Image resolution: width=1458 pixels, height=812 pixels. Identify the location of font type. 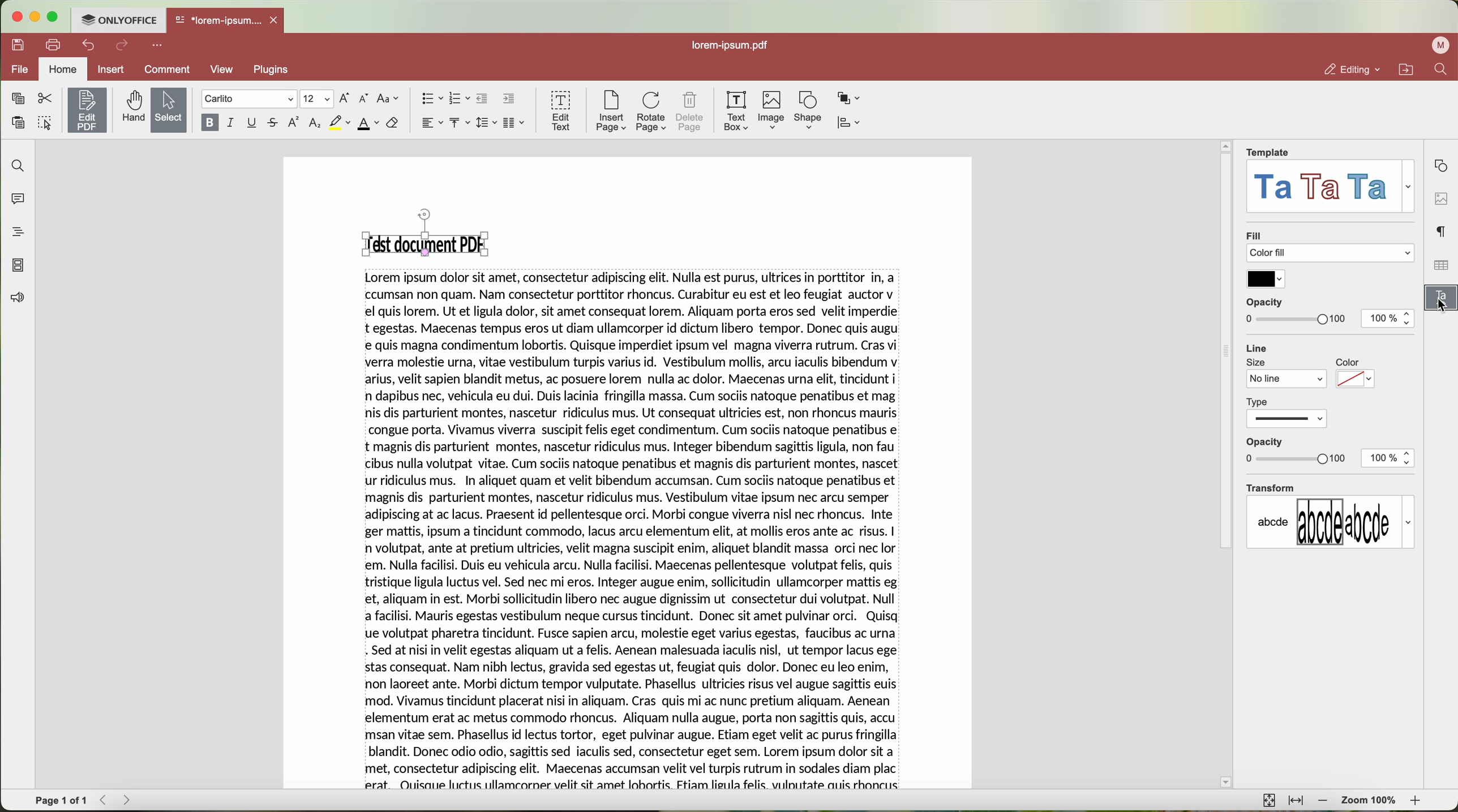
(248, 99).